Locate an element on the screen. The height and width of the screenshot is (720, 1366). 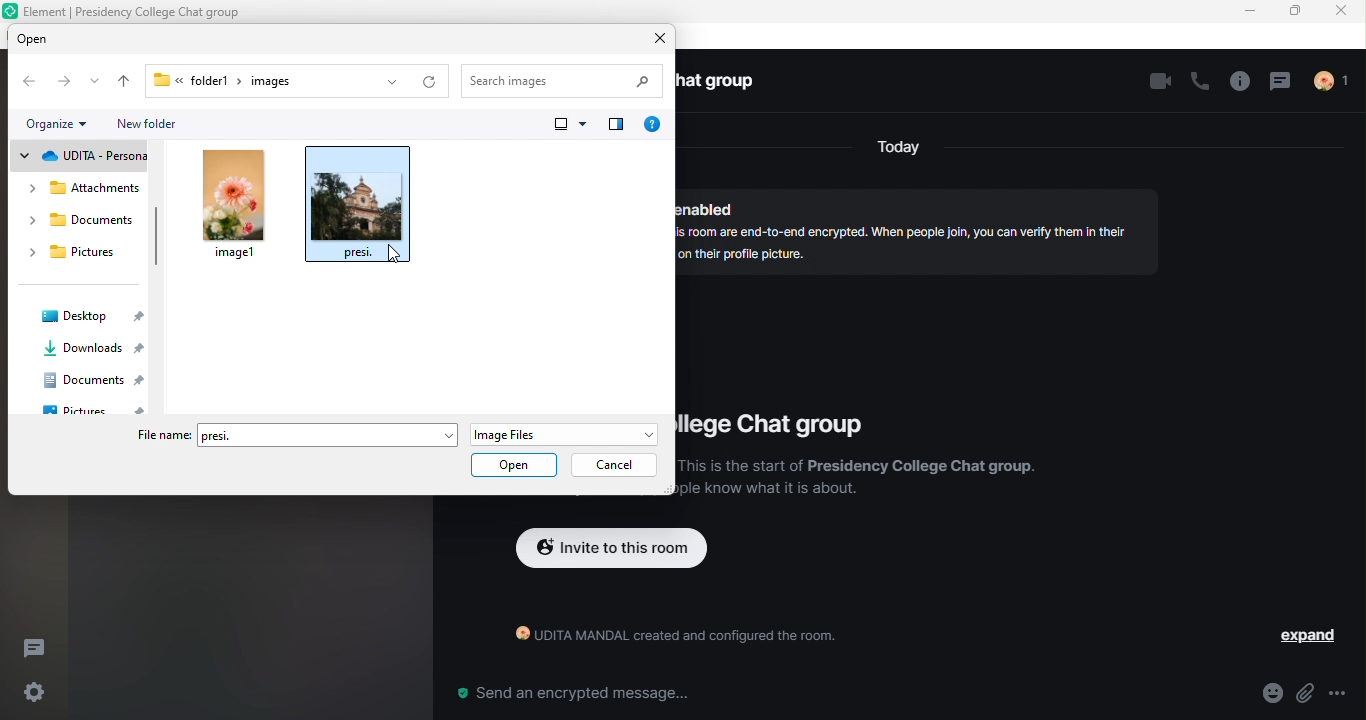
presi is located at coordinates (361, 208).